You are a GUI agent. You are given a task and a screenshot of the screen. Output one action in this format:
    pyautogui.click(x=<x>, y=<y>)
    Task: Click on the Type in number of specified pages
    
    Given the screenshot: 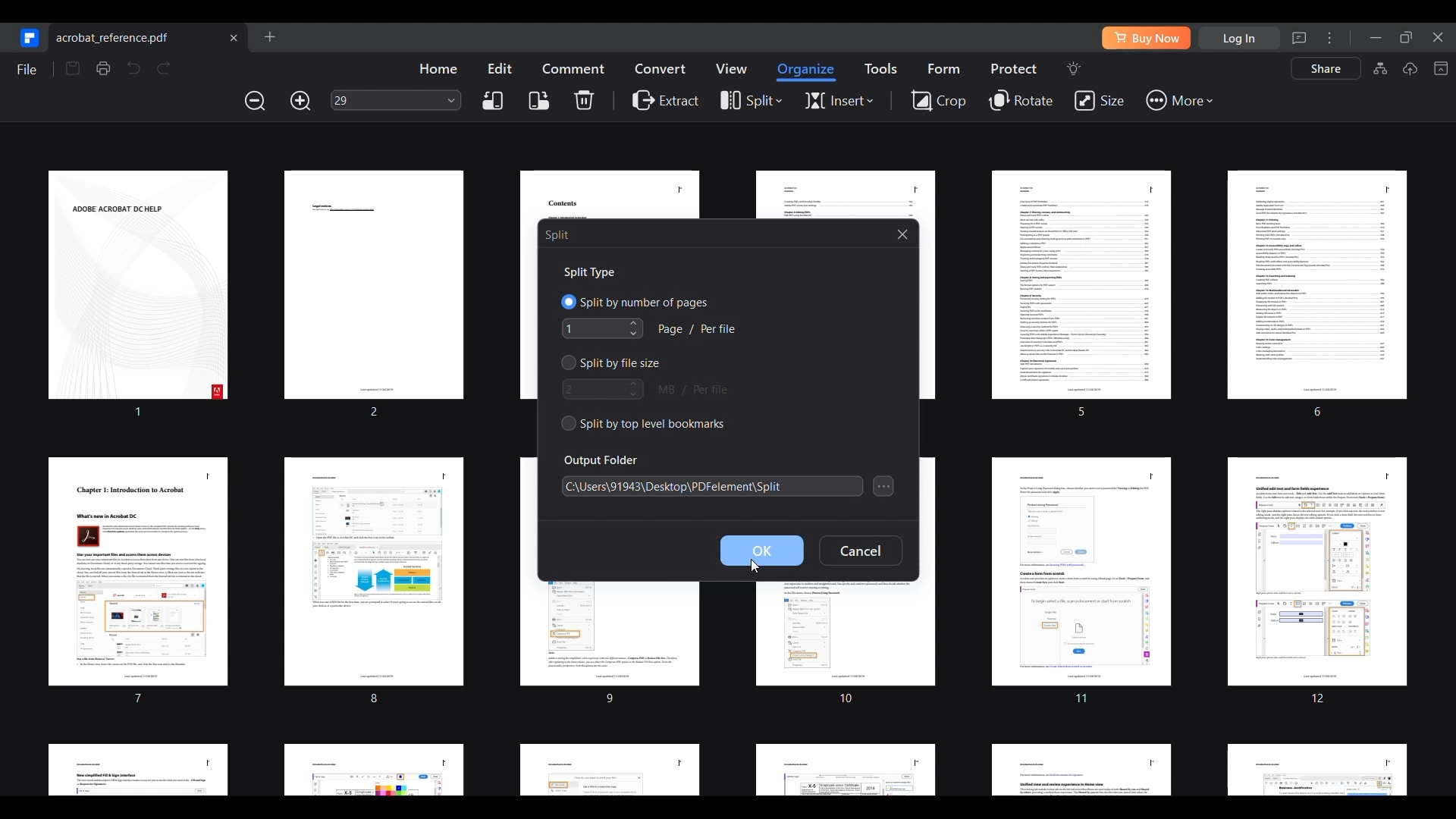 What is the action you would take?
    pyautogui.click(x=592, y=328)
    